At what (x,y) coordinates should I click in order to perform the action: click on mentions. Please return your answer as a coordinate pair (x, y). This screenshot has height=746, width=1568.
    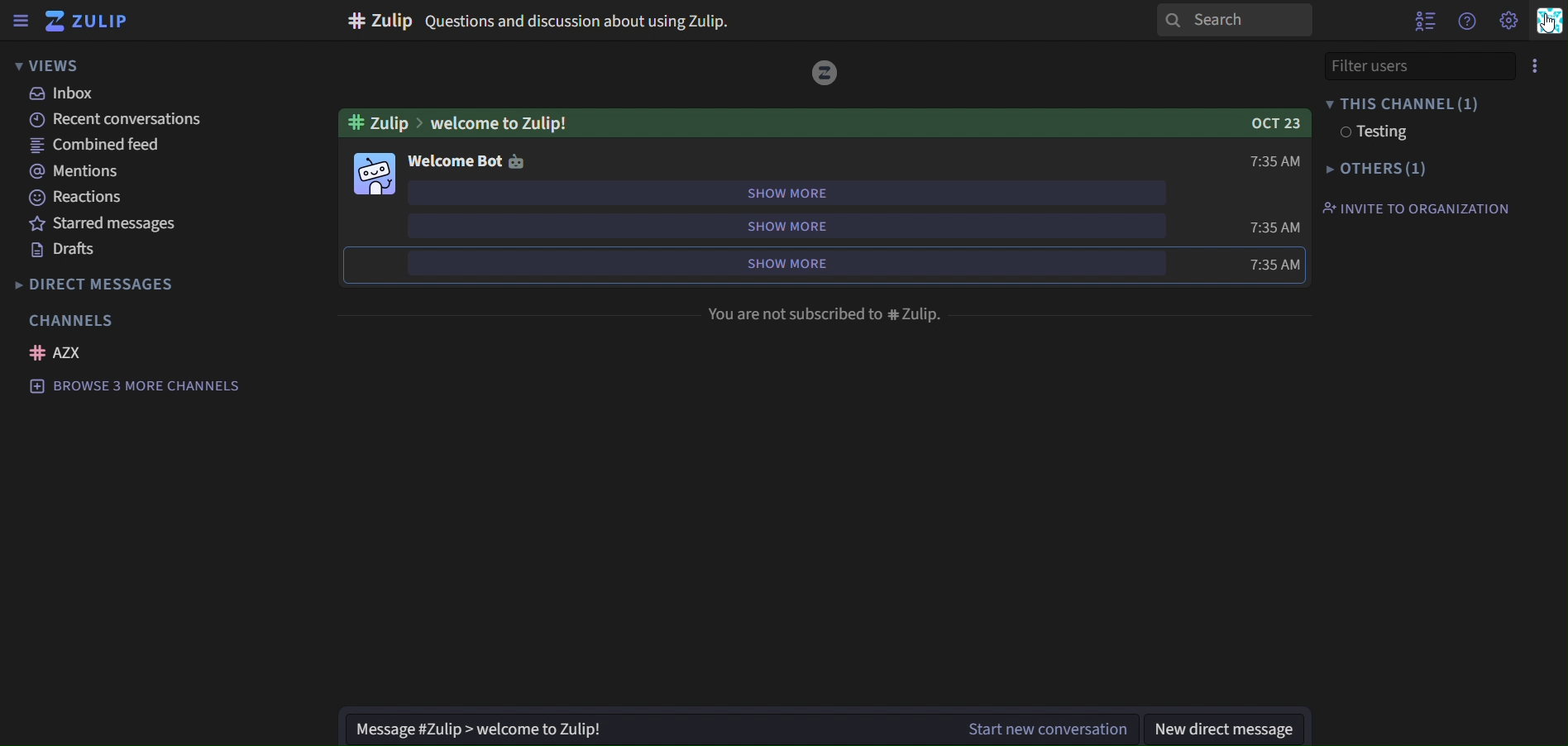
    Looking at the image, I should click on (78, 171).